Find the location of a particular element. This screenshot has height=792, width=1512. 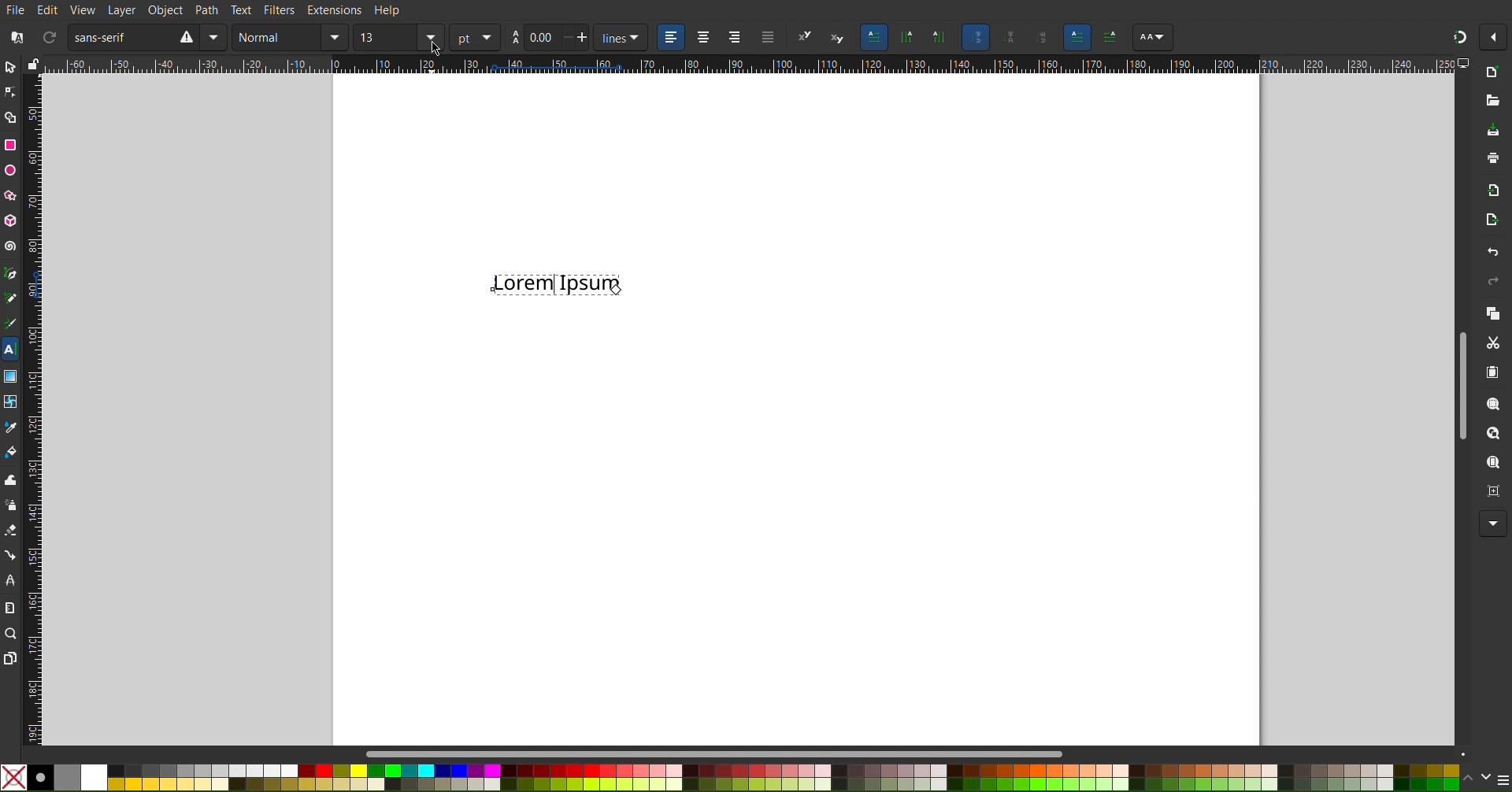

sans is located at coordinates (117, 36).